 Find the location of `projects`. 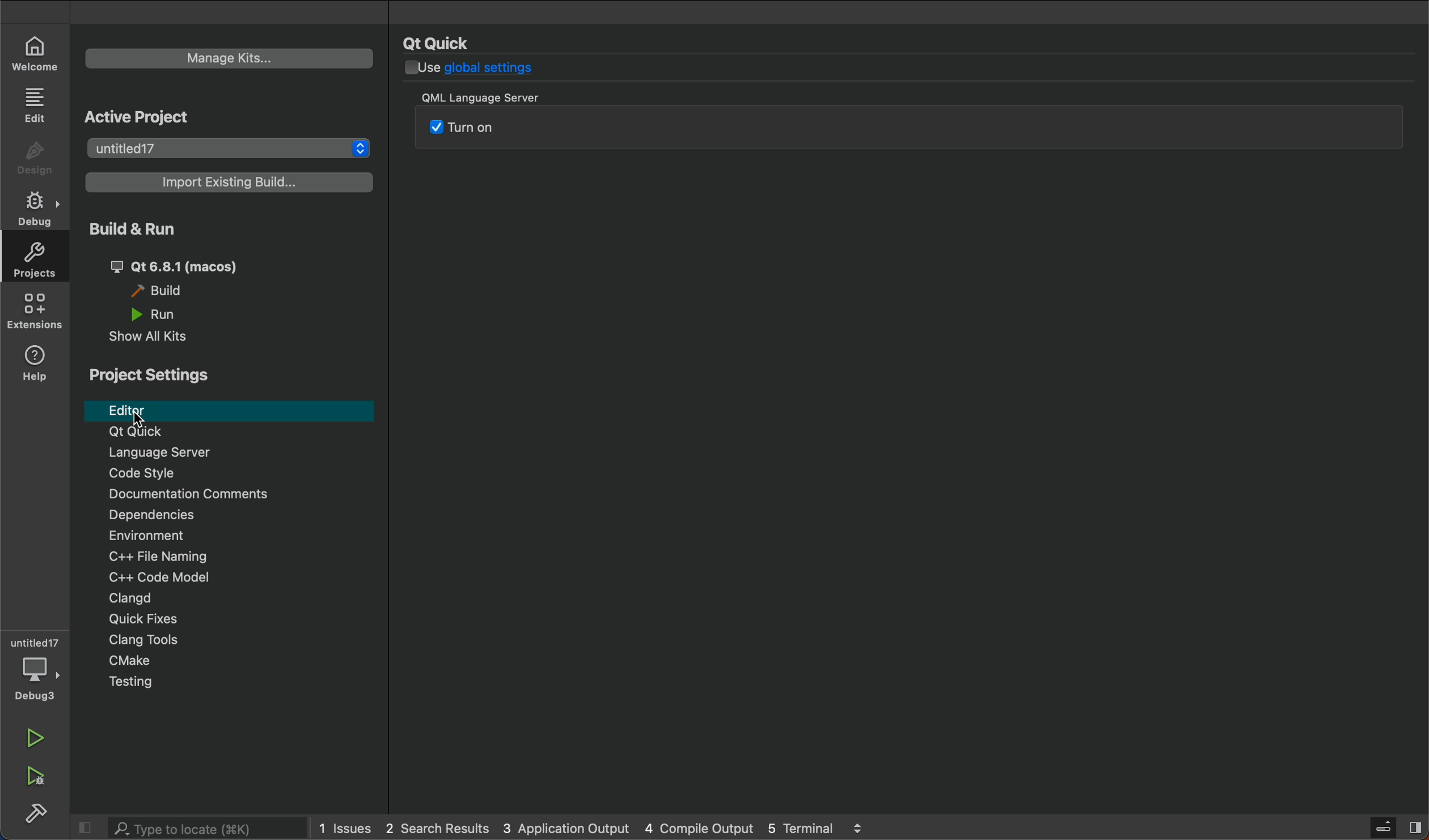

projects is located at coordinates (40, 259).